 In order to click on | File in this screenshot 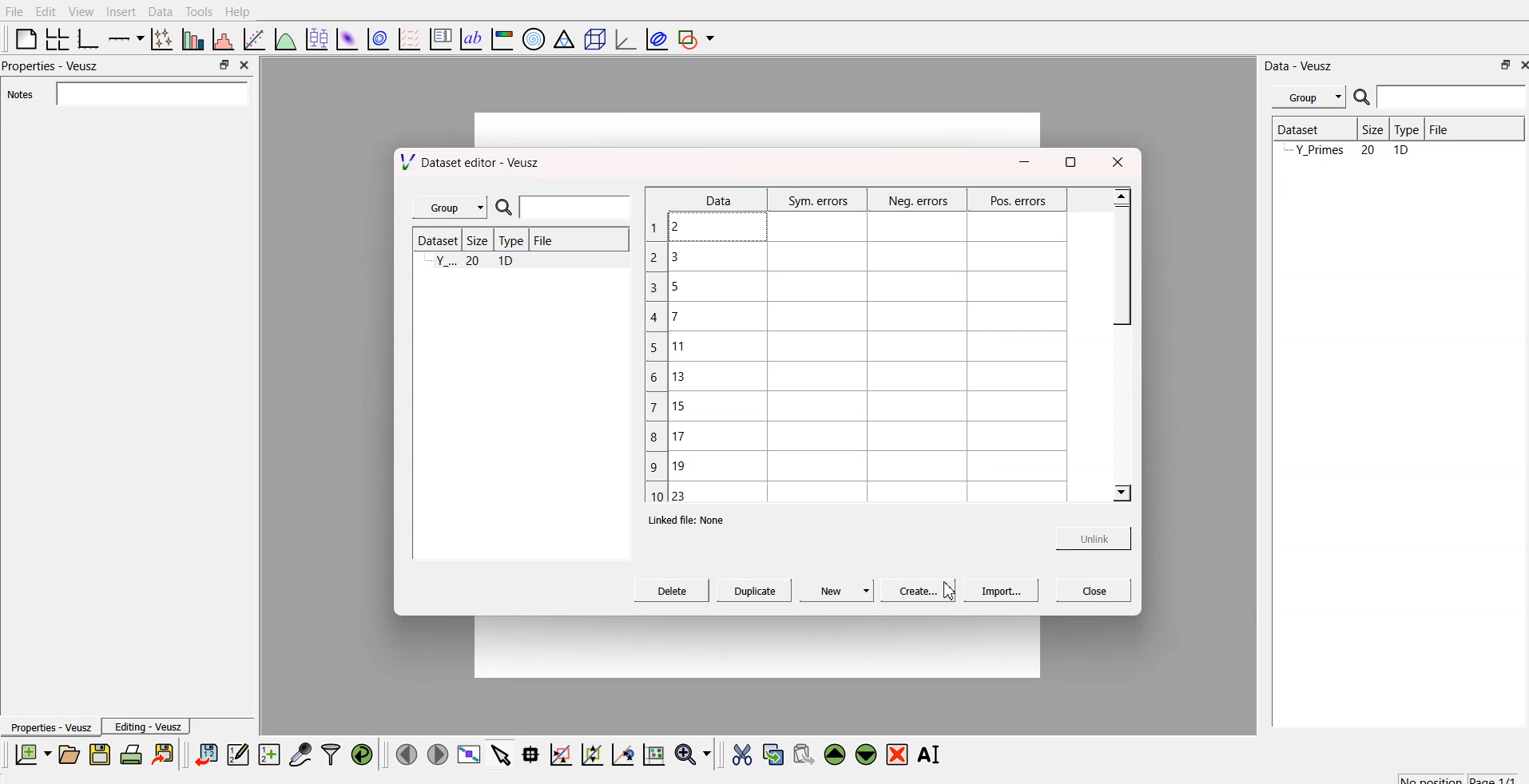, I will do `click(542, 240)`.